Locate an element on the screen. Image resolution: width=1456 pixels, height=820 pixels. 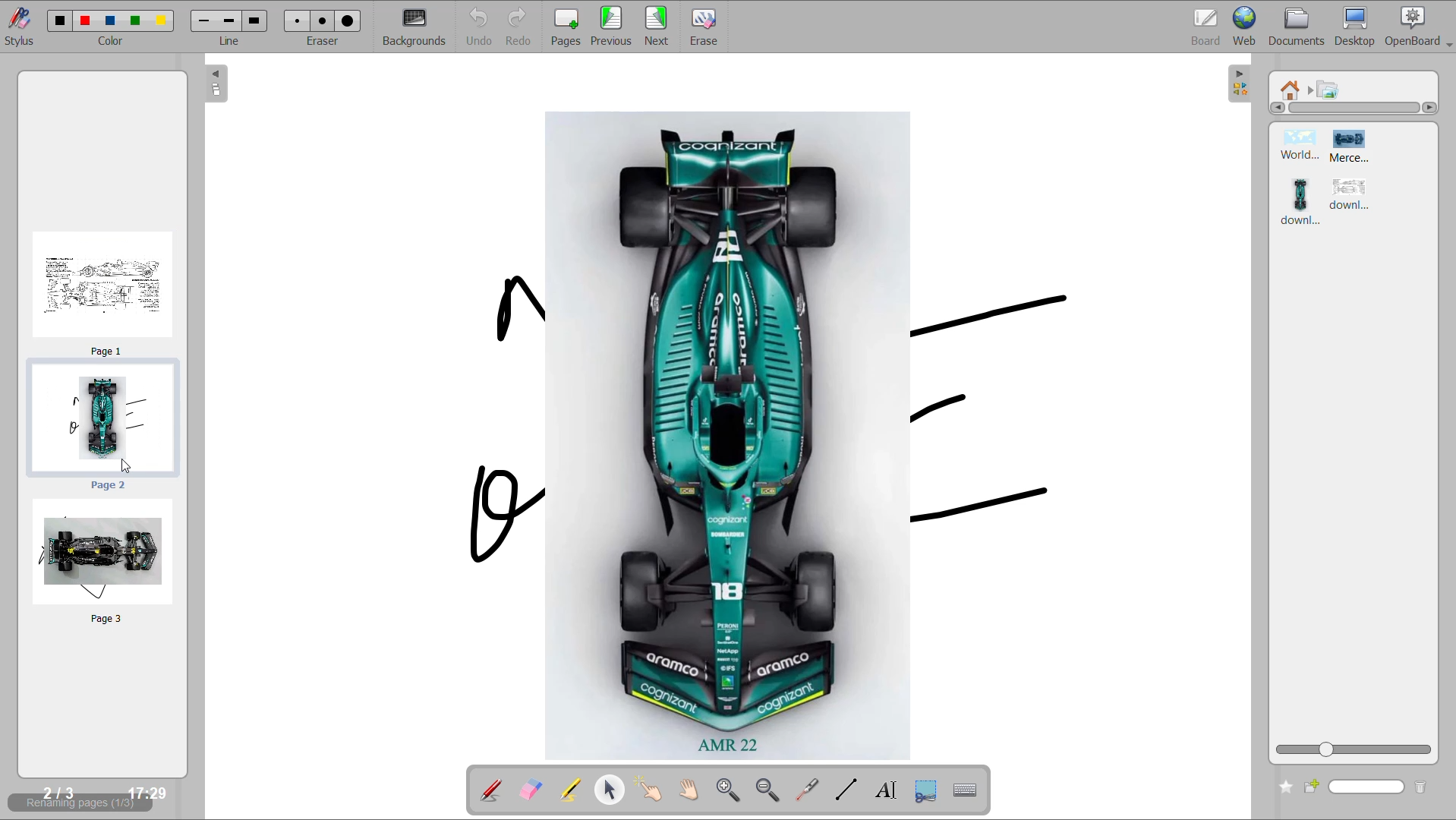
Medium line is located at coordinates (229, 20).